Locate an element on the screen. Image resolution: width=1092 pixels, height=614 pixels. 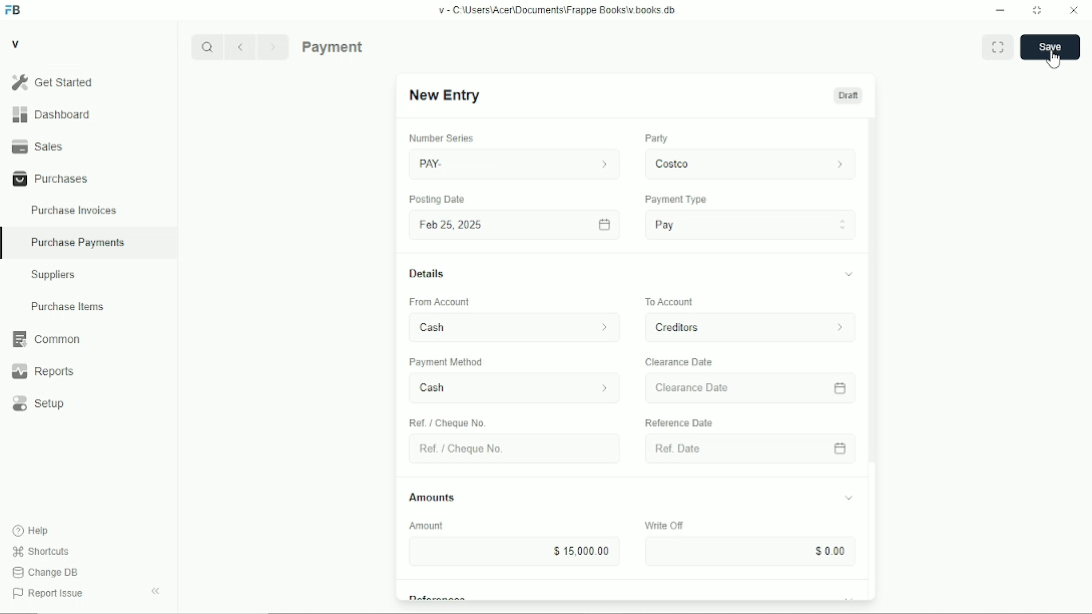
Fob 25,2025 is located at coordinates (511, 224).